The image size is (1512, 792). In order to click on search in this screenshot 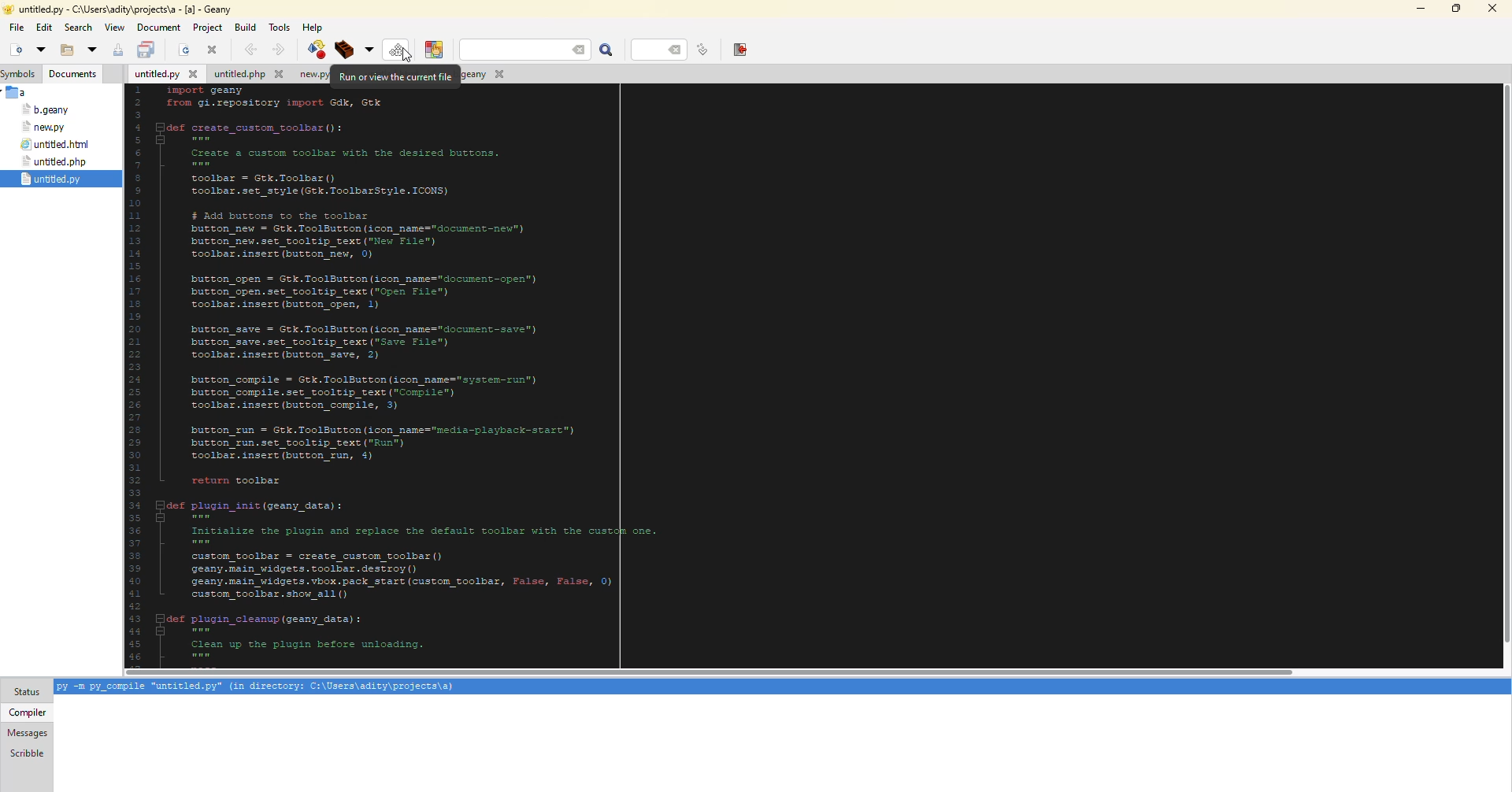, I will do `click(529, 50)`.